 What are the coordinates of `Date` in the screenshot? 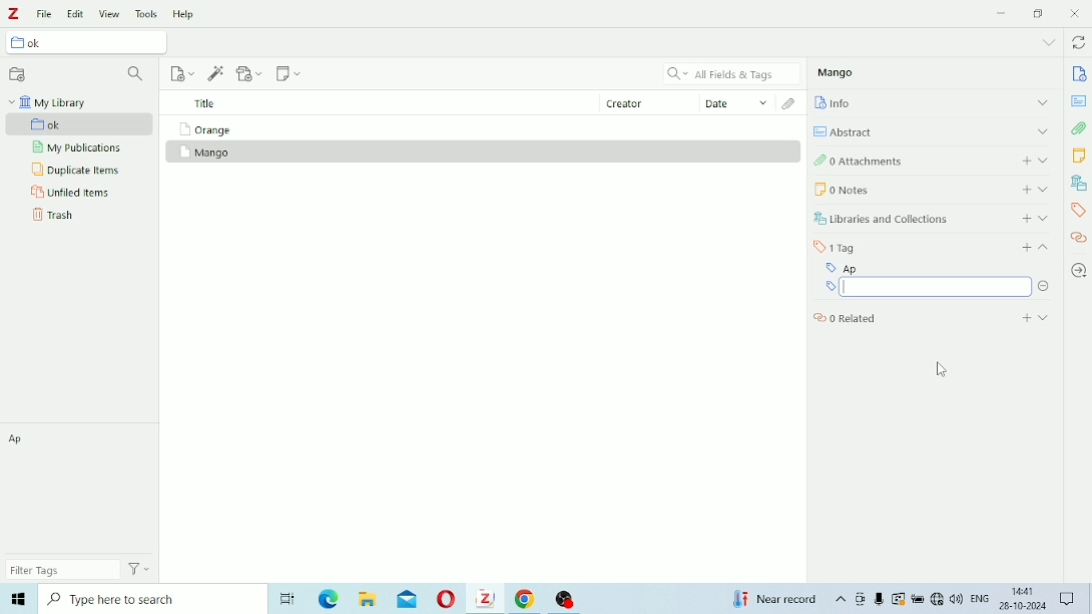 It's located at (737, 103).